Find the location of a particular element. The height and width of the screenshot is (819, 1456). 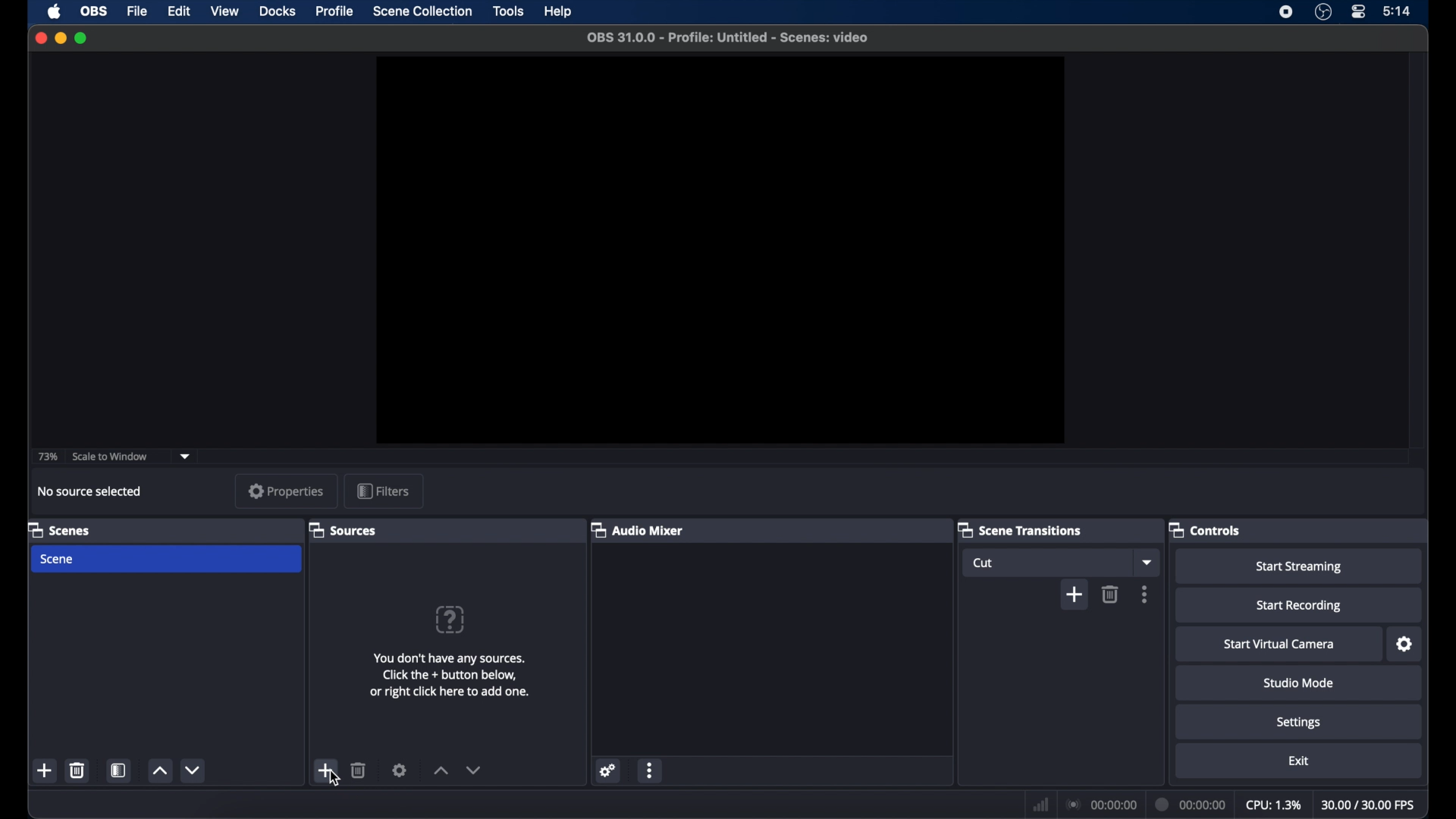

close is located at coordinates (39, 38).